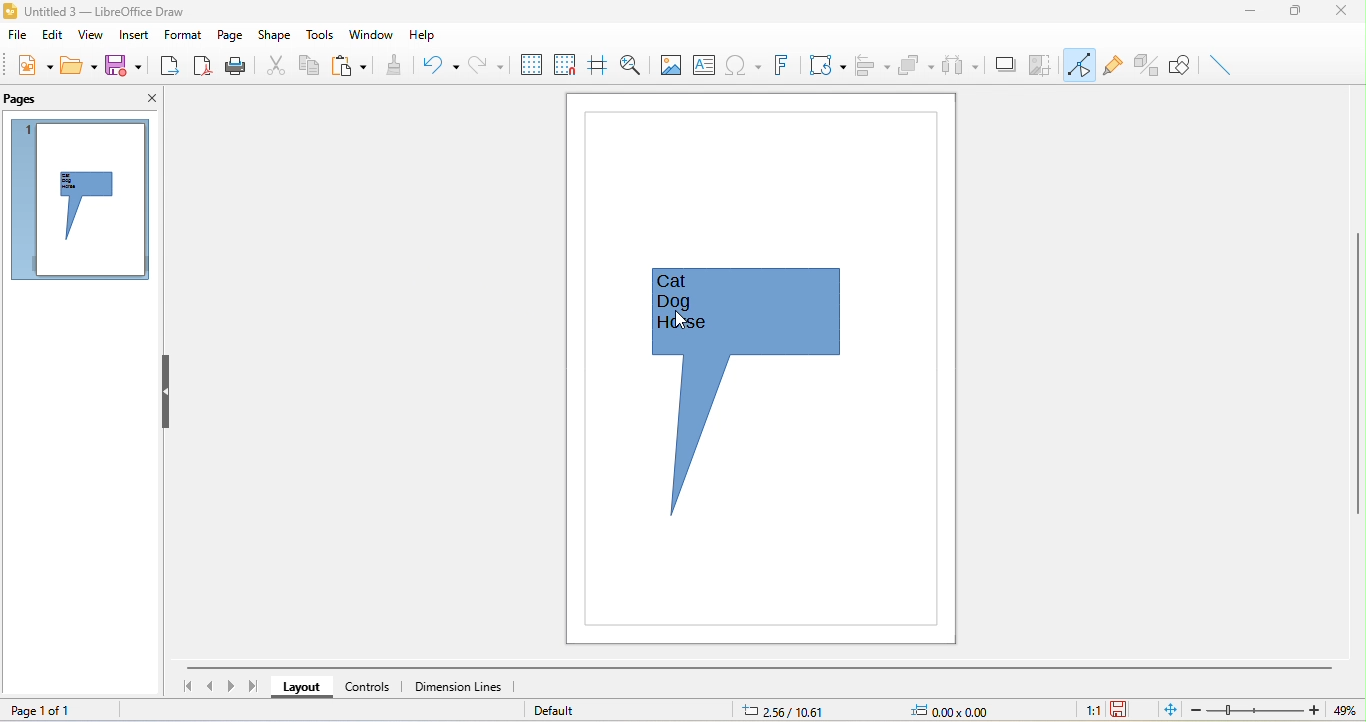 The image size is (1366, 722). Describe the element at coordinates (685, 303) in the screenshot. I see `dog` at that location.